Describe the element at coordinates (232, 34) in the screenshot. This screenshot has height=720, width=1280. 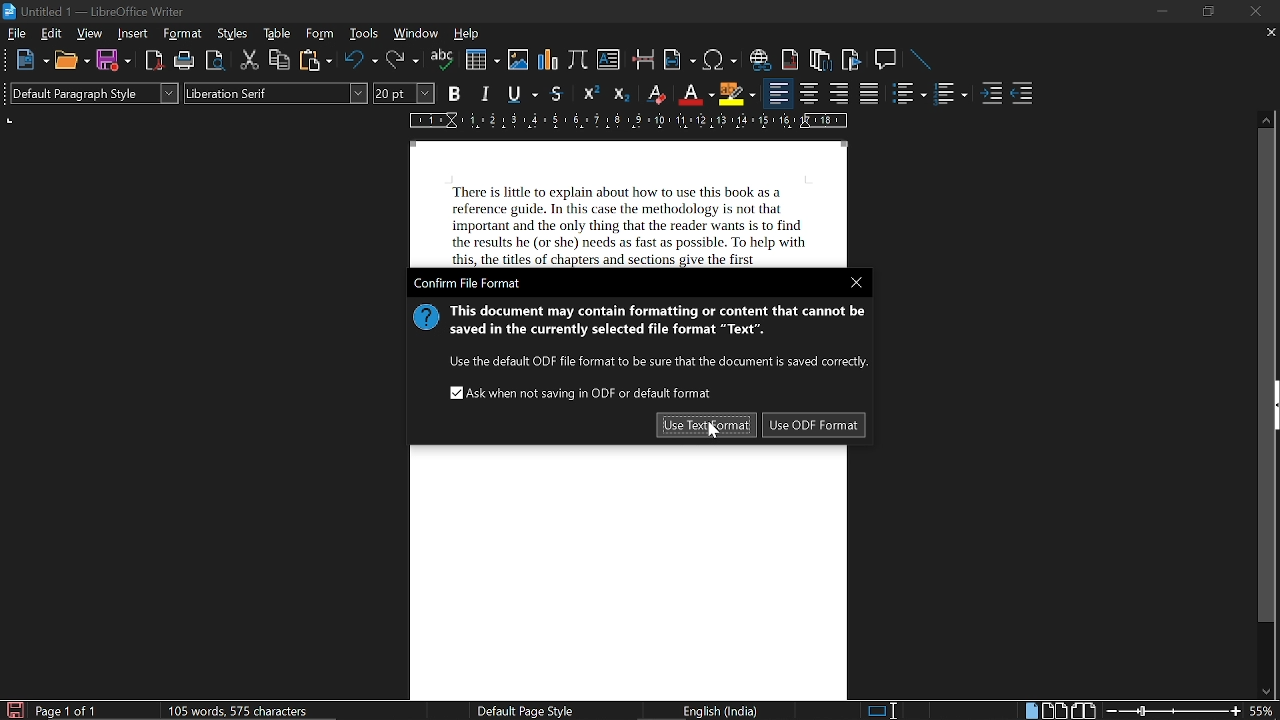
I see `styles` at that location.